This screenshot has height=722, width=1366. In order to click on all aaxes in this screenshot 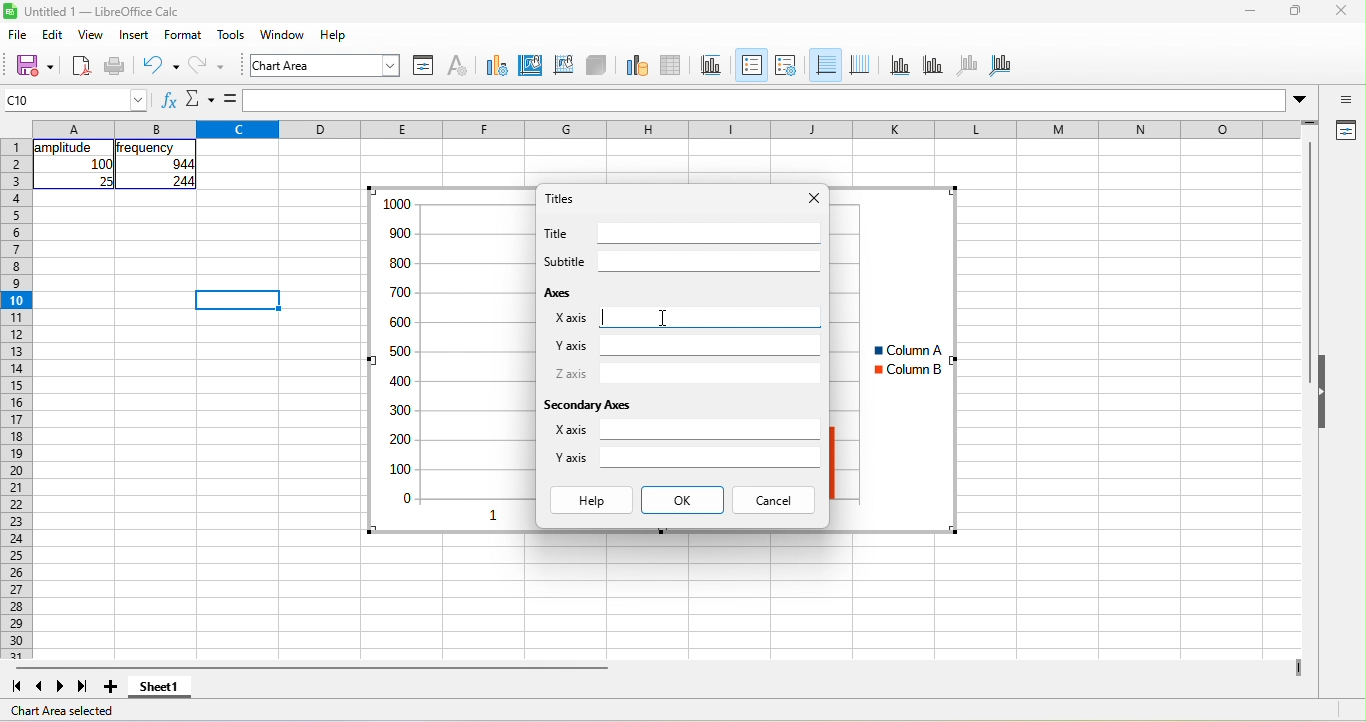, I will do `click(1000, 66)`.